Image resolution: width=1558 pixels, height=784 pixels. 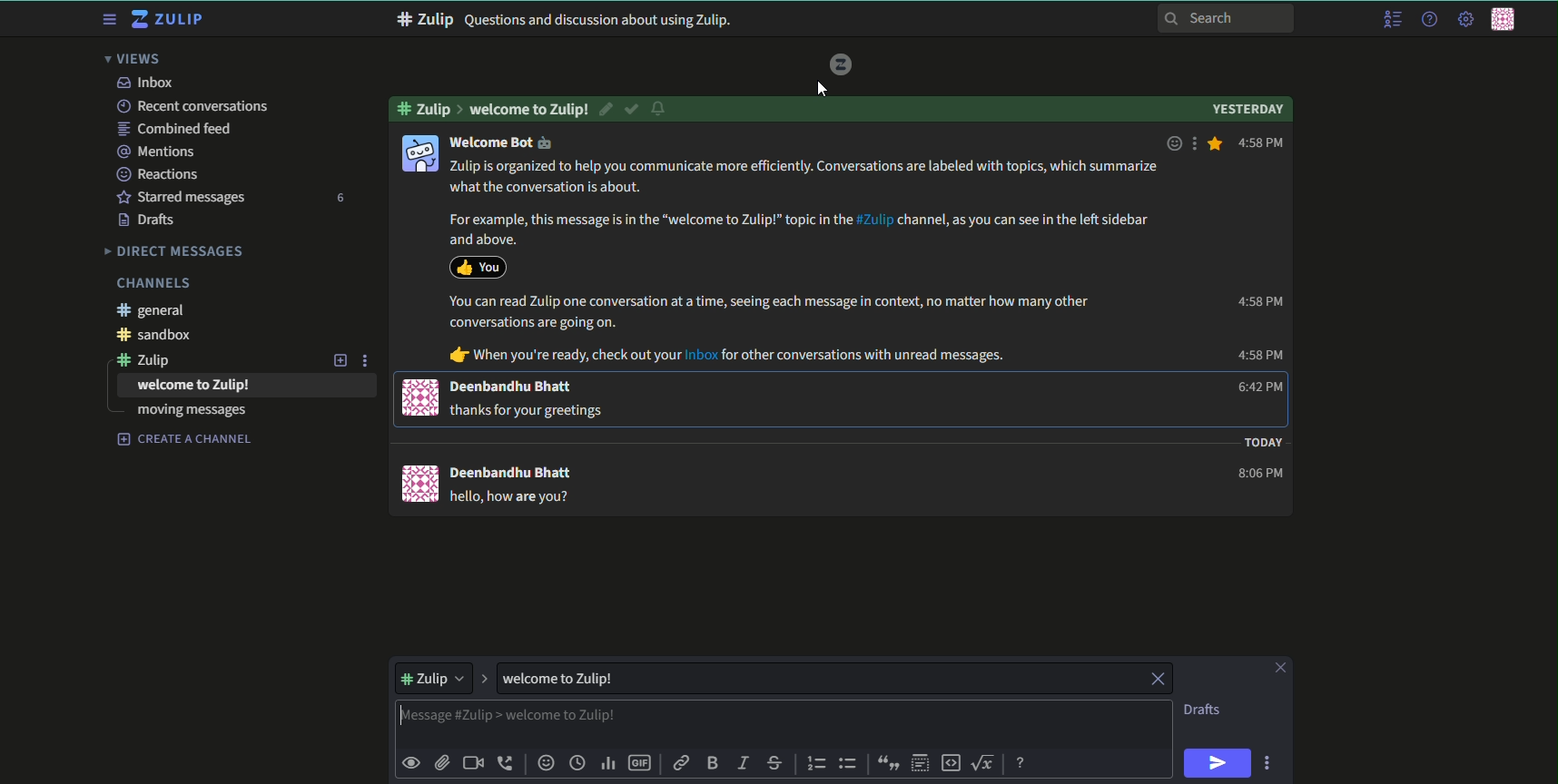 I want to click on emoji, so click(x=1178, y=144).